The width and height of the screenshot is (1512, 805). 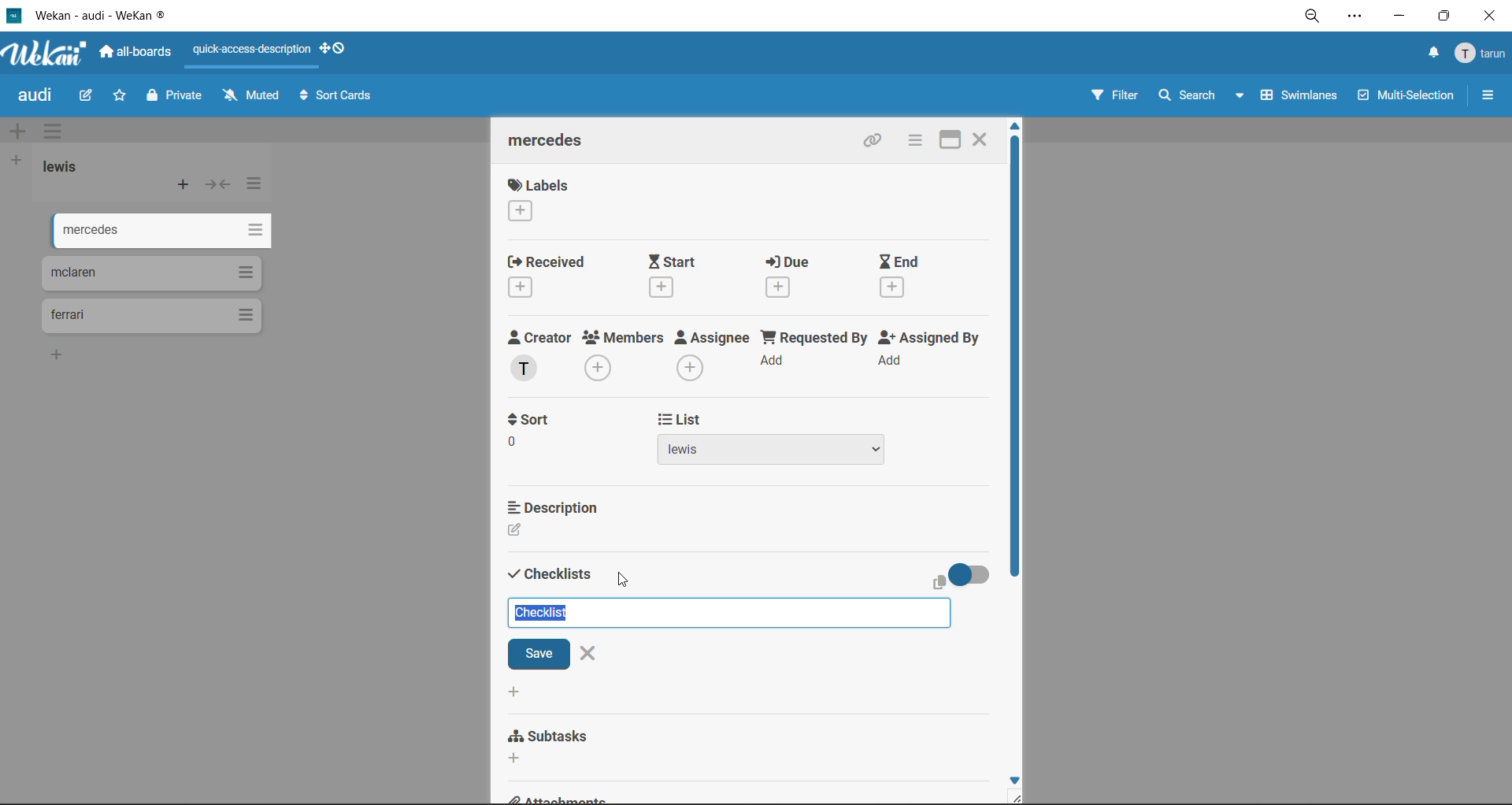 What do you see at coordinates (548, 278) in the screenshot?
I see `recieved` at bounding box center [548, 278].